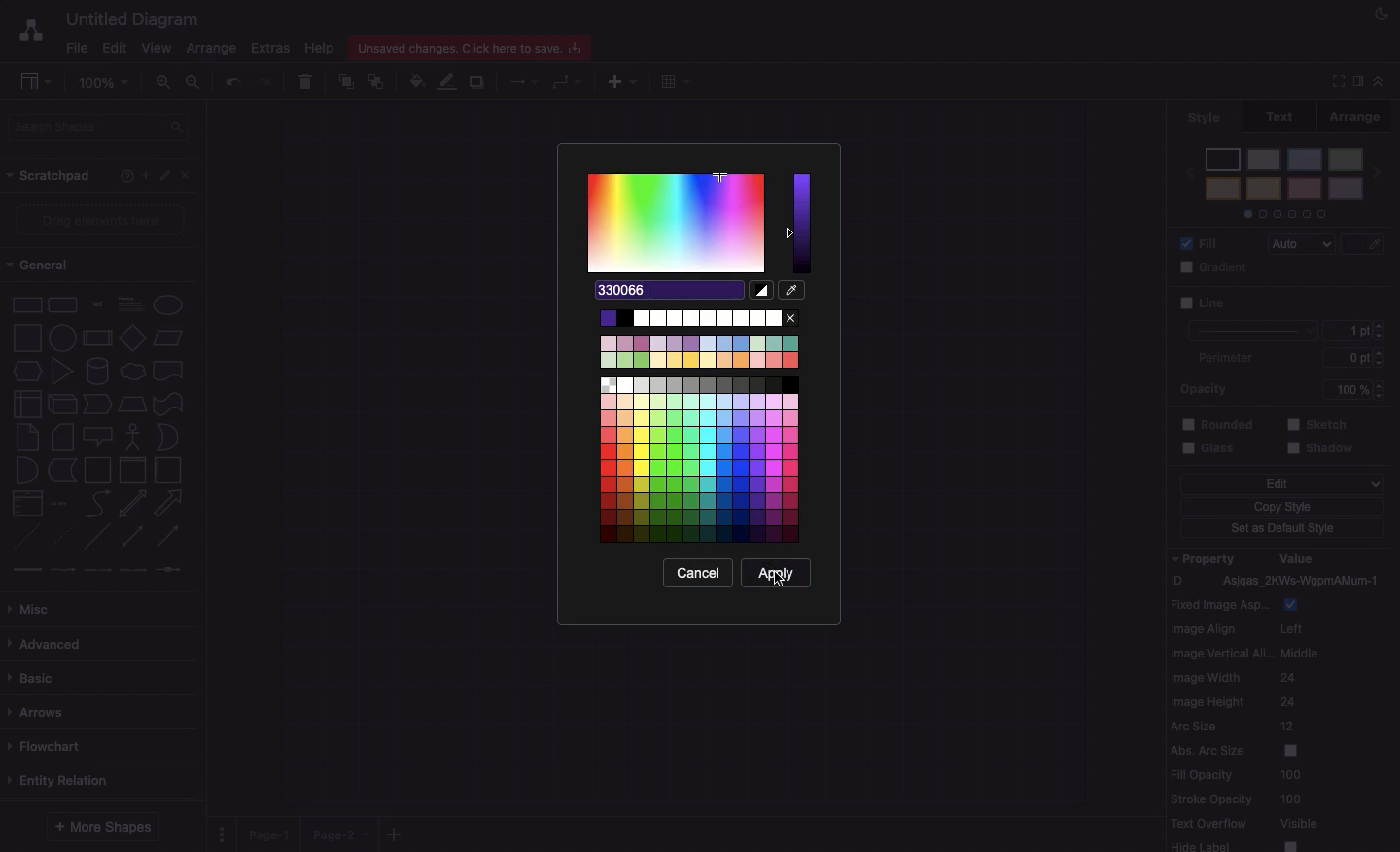  Describe the element at coordinates (62, 778) in the screenshot. I see `Entity relation` at that location.